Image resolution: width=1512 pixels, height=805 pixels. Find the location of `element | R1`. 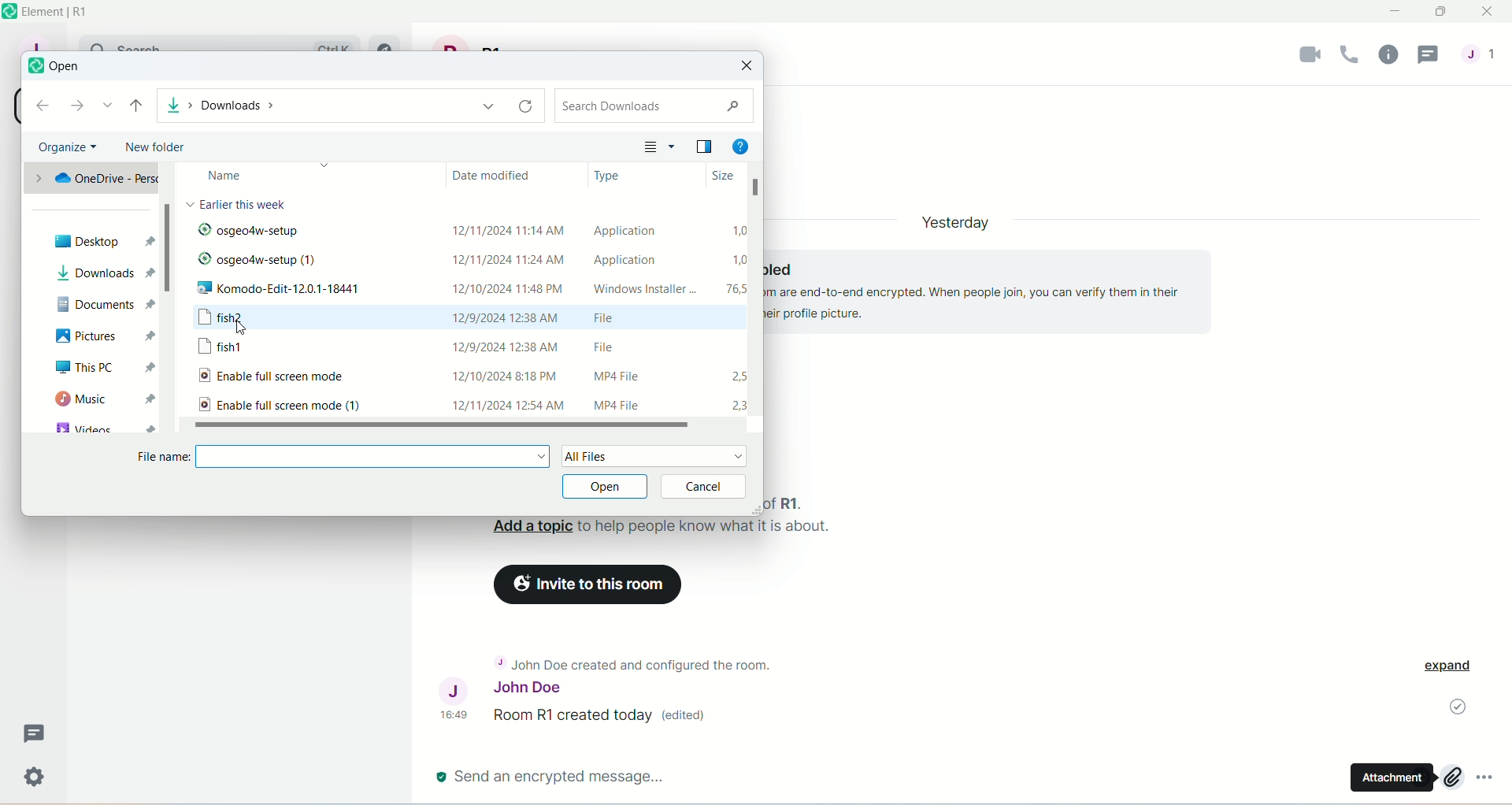

element | R1 is located at coordinates (70, 13).